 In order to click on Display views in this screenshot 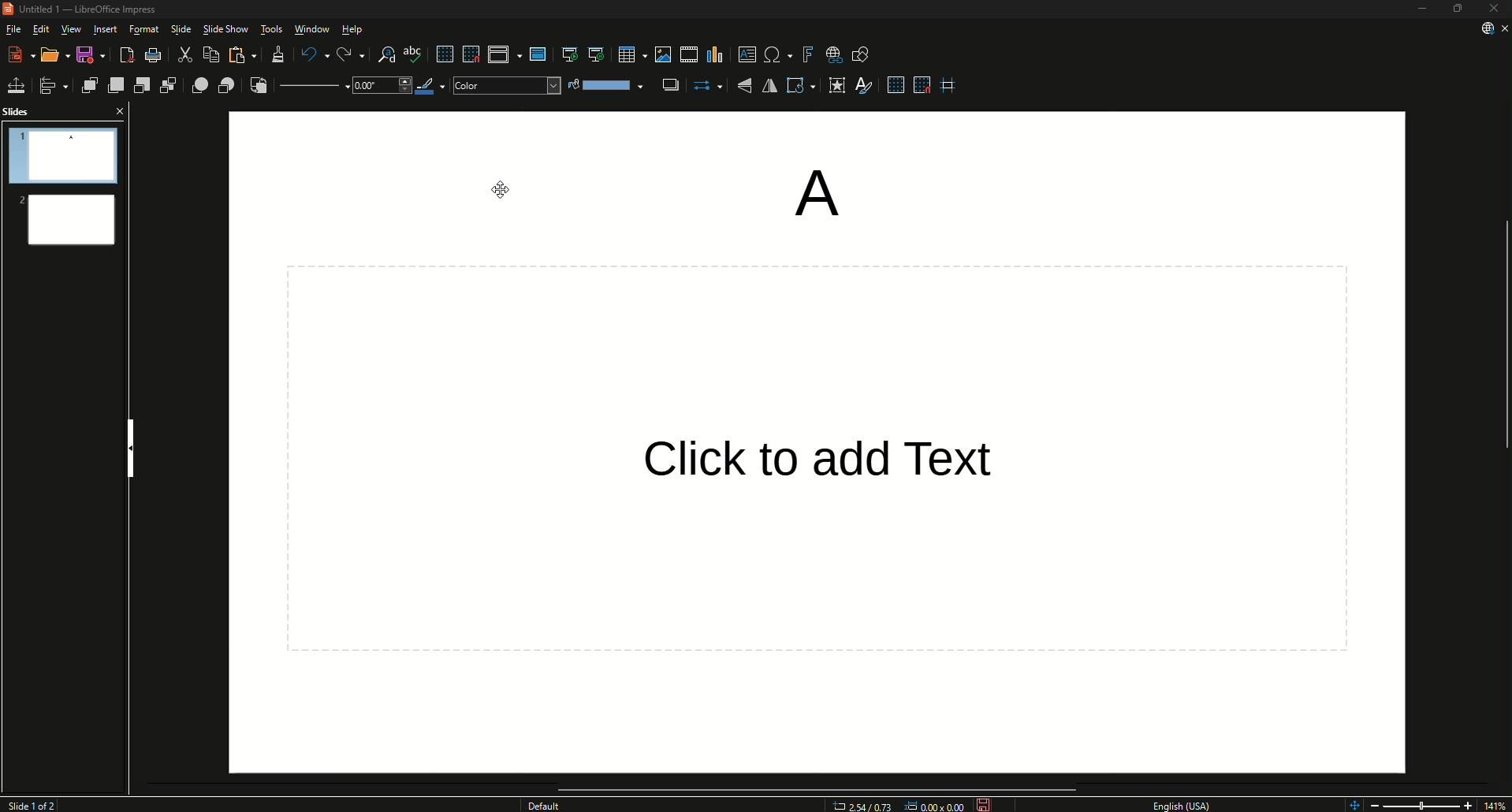, I will do `click(501, 54)`.